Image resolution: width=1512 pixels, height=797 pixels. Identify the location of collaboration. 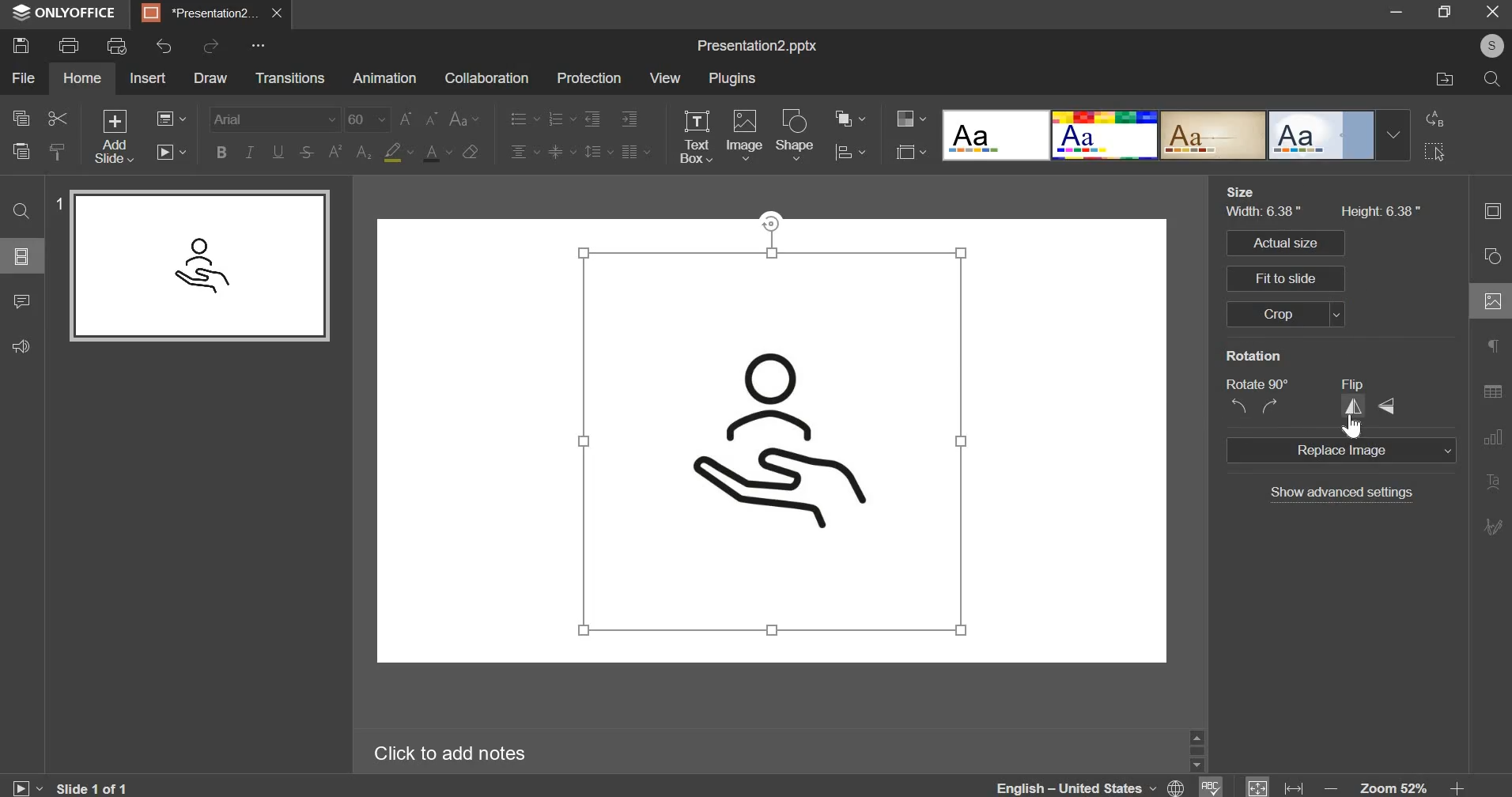
(485, 80).